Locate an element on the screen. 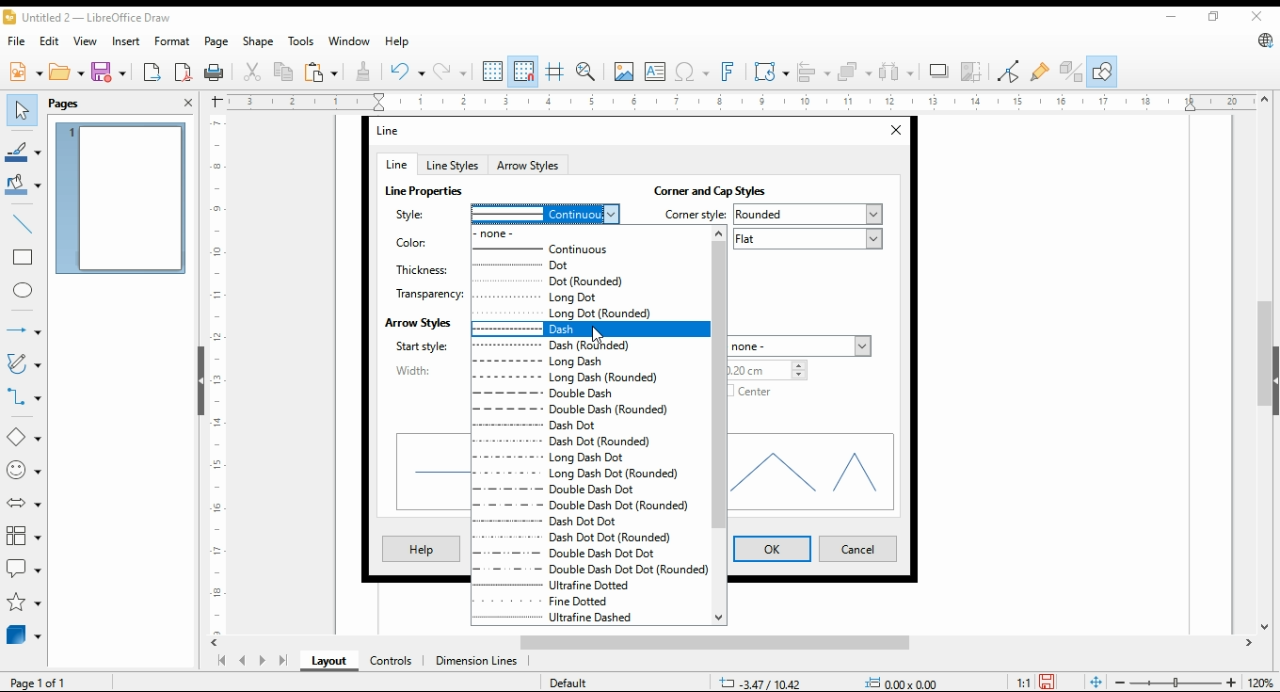 This screenshot has height=692, width=1280. format is located at coordinates (174, 43).